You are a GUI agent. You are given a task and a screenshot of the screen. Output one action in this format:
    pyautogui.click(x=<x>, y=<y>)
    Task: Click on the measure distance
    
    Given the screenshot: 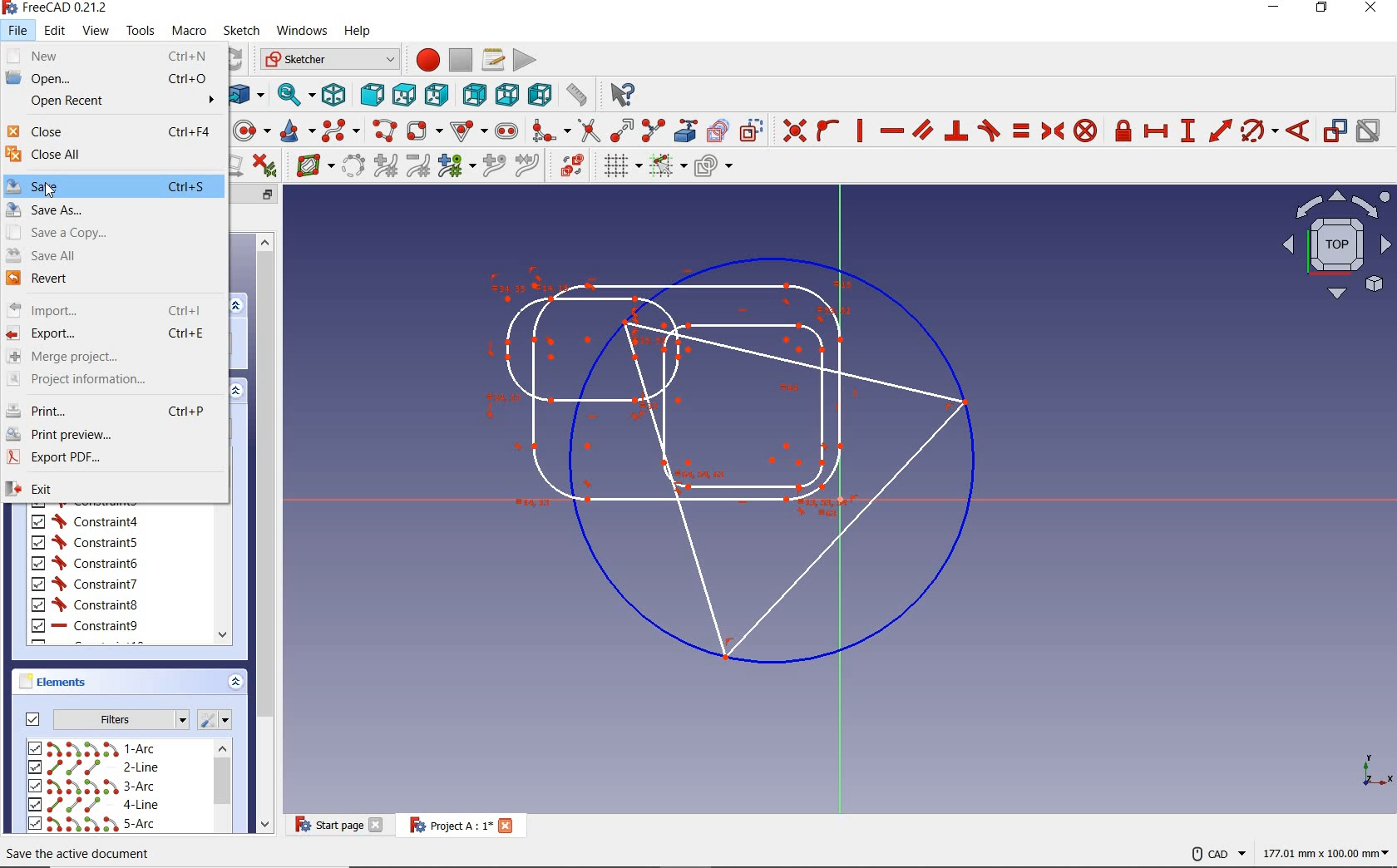 What is the action you would take?
    pyautogui.click(x=579, y=94)
    